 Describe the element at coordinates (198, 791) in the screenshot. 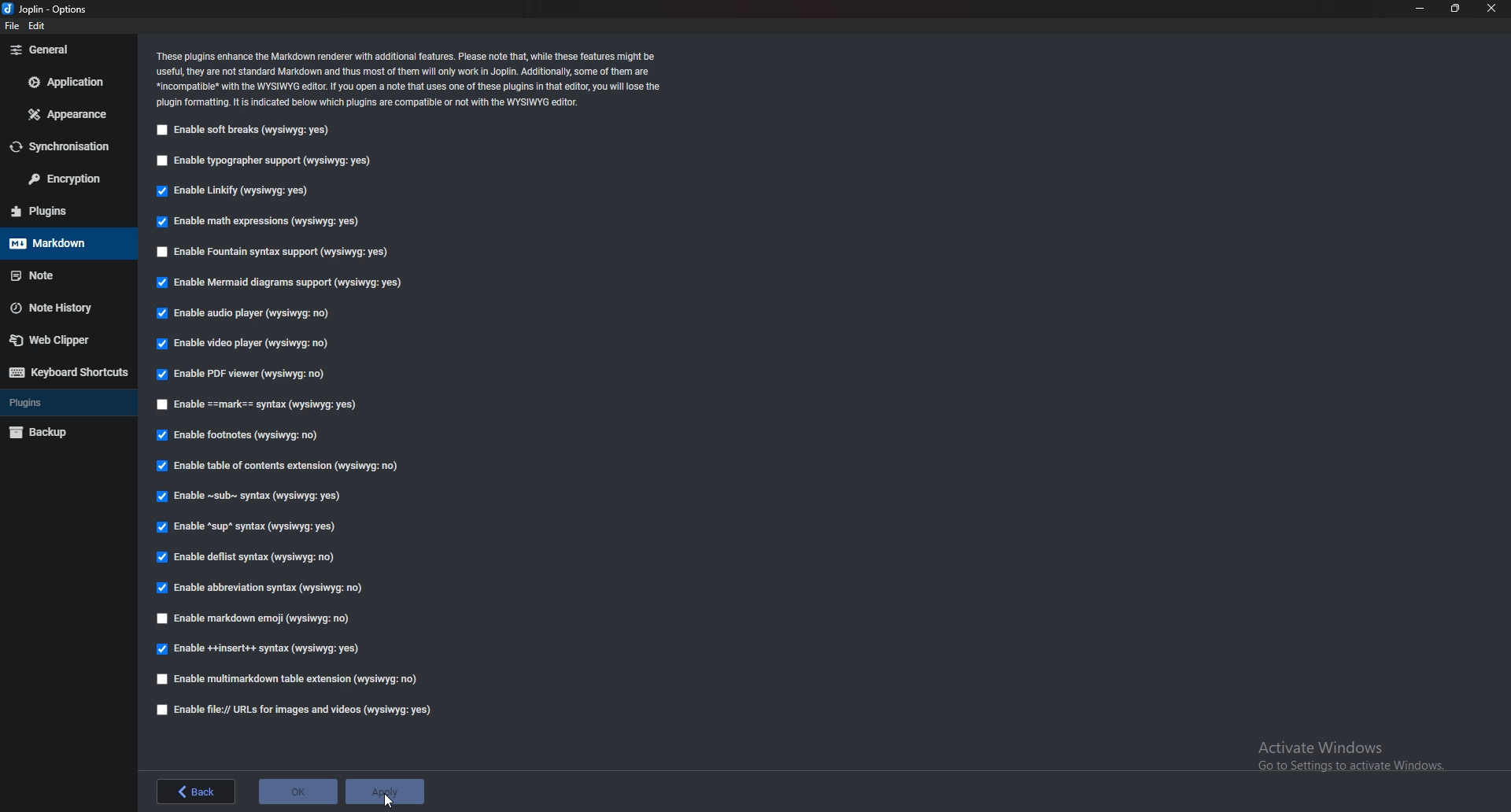

I see `back` at that location.